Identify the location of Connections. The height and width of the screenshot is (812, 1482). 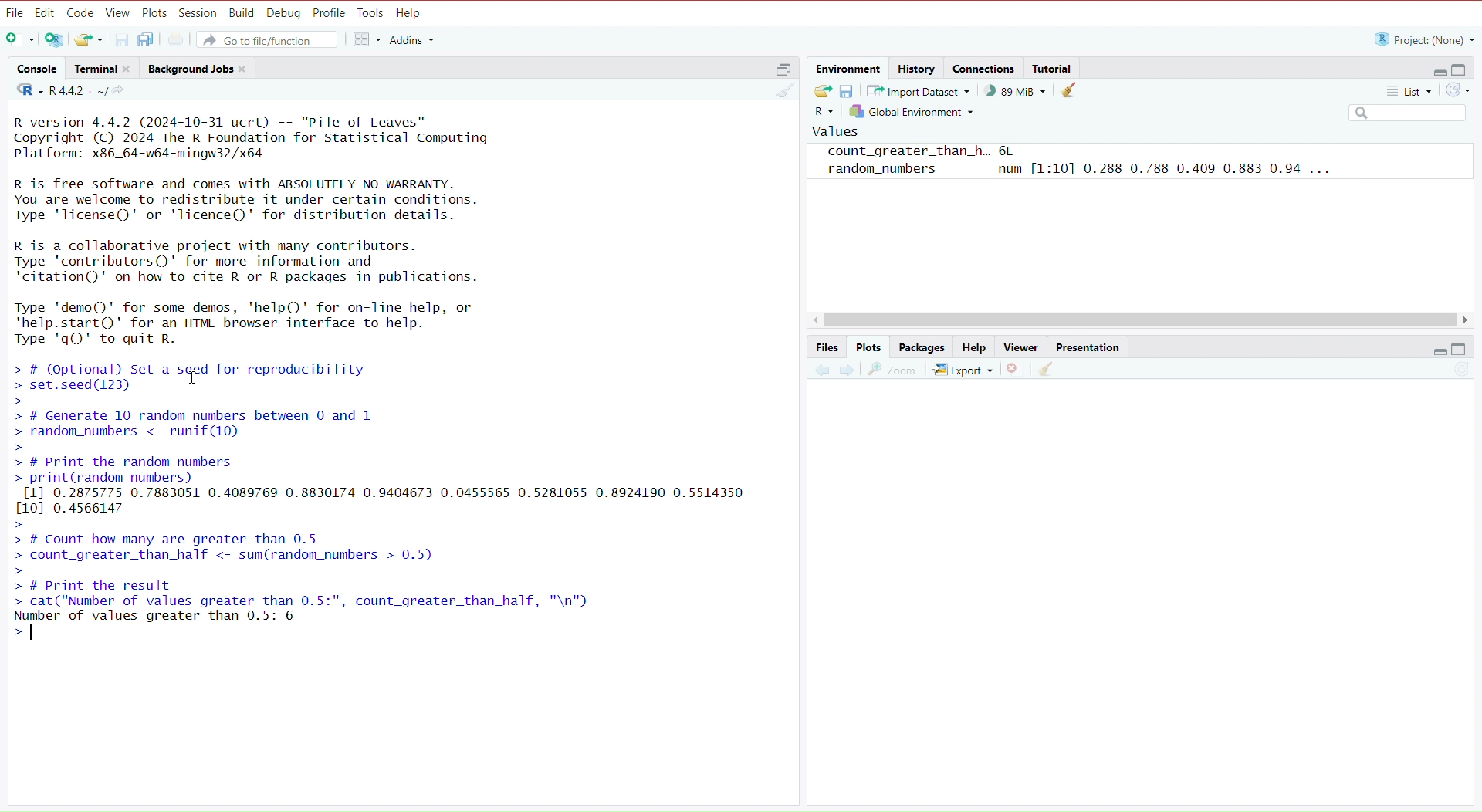
(983, 66).